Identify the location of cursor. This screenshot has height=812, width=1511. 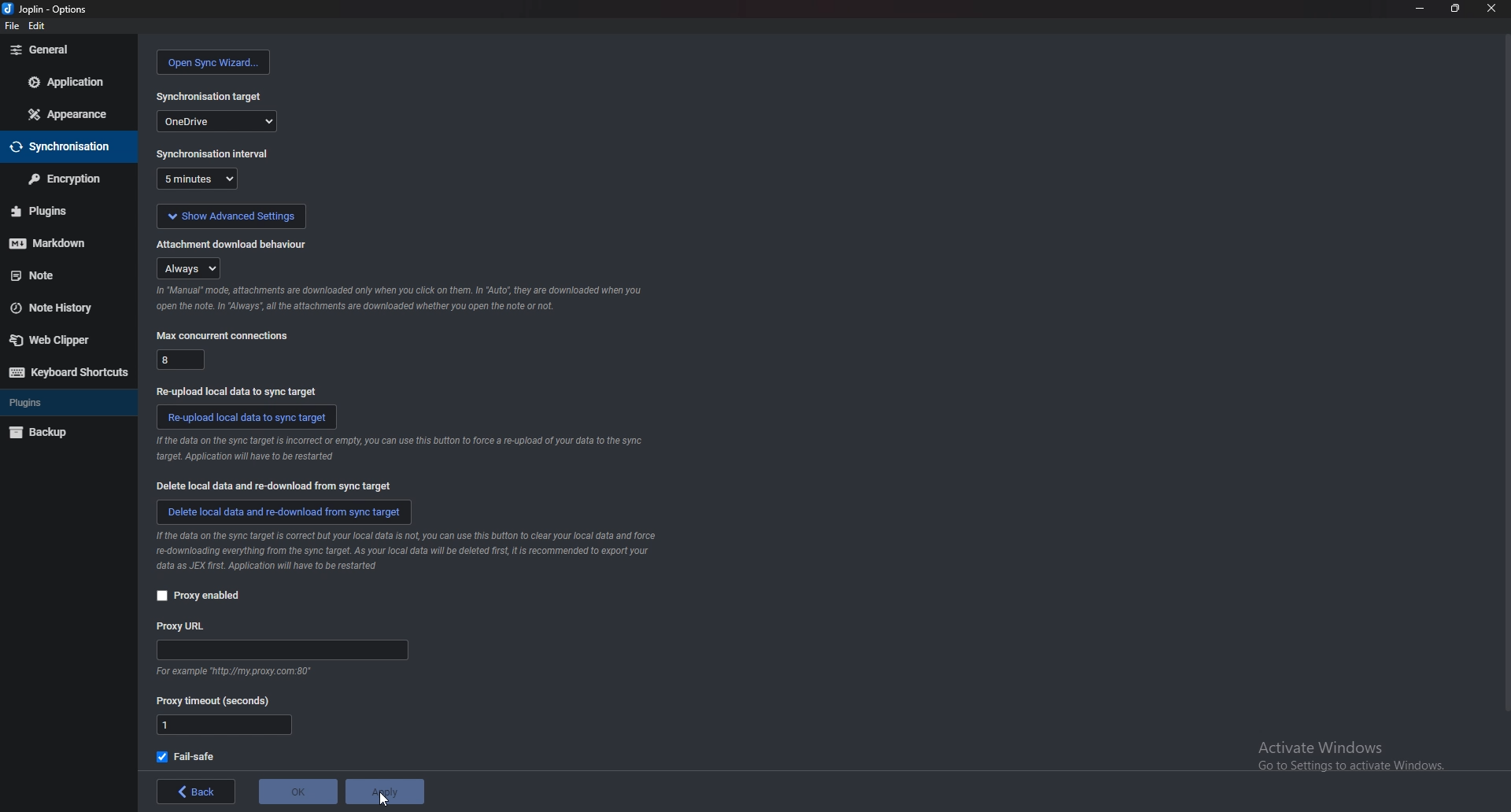
(381, 799).